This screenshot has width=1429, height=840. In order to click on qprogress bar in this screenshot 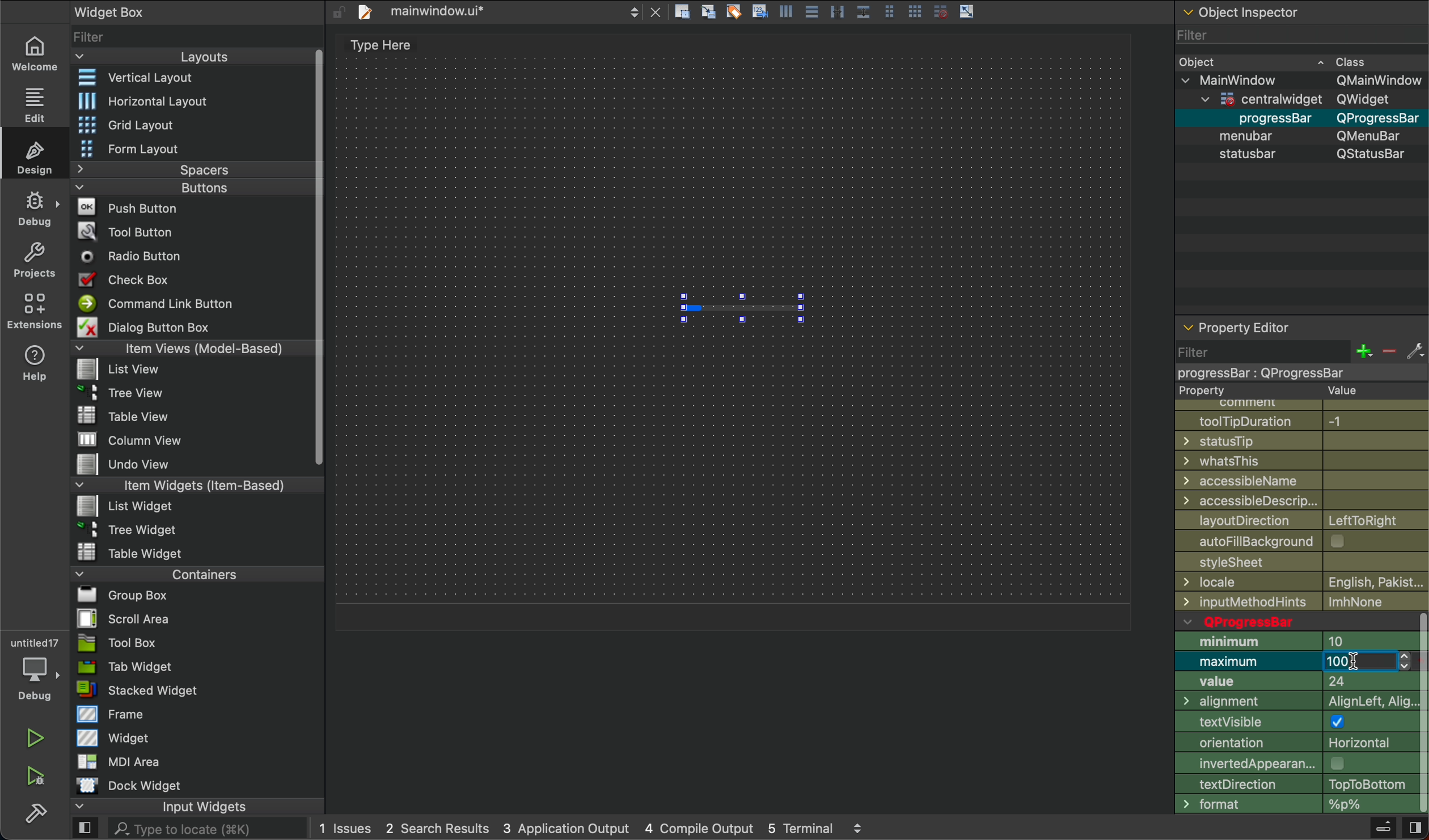, I will do `click(1292, 621)`.